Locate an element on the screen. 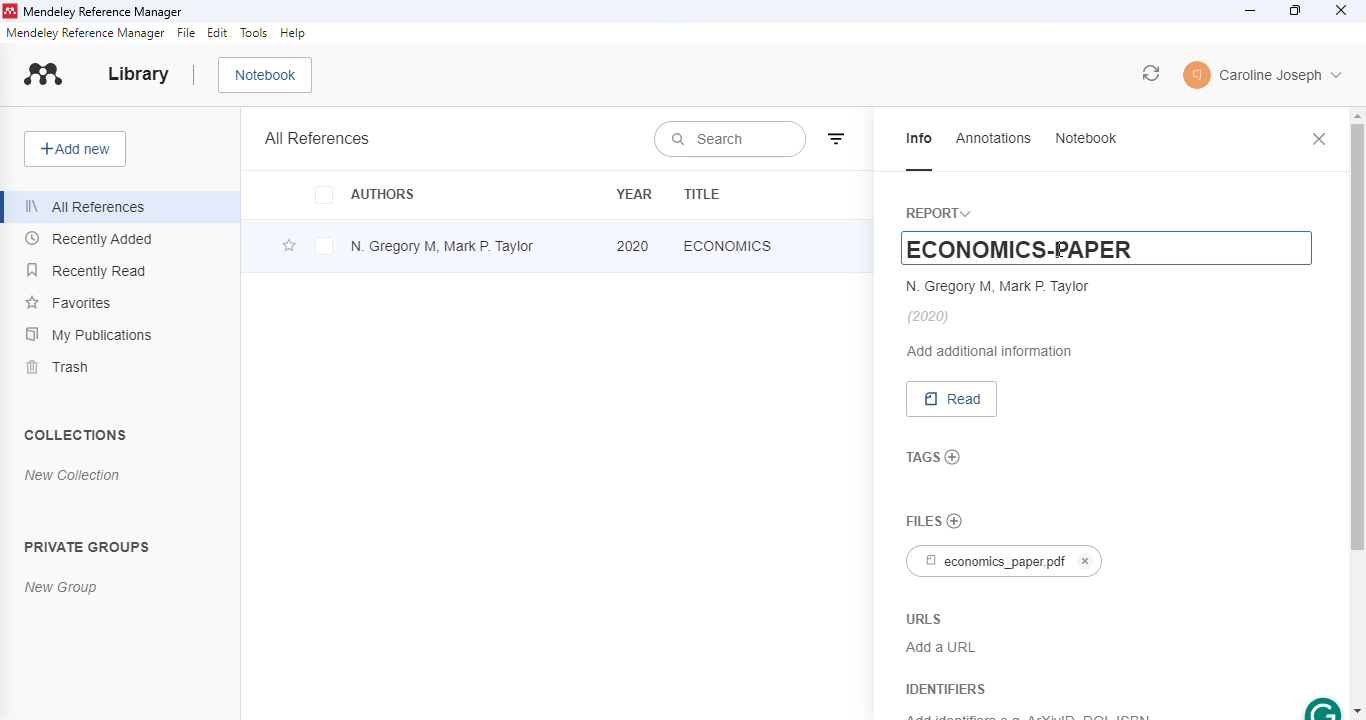 This screenshot has width=1366, height=720. new collection is located at coordinates (73, 475).